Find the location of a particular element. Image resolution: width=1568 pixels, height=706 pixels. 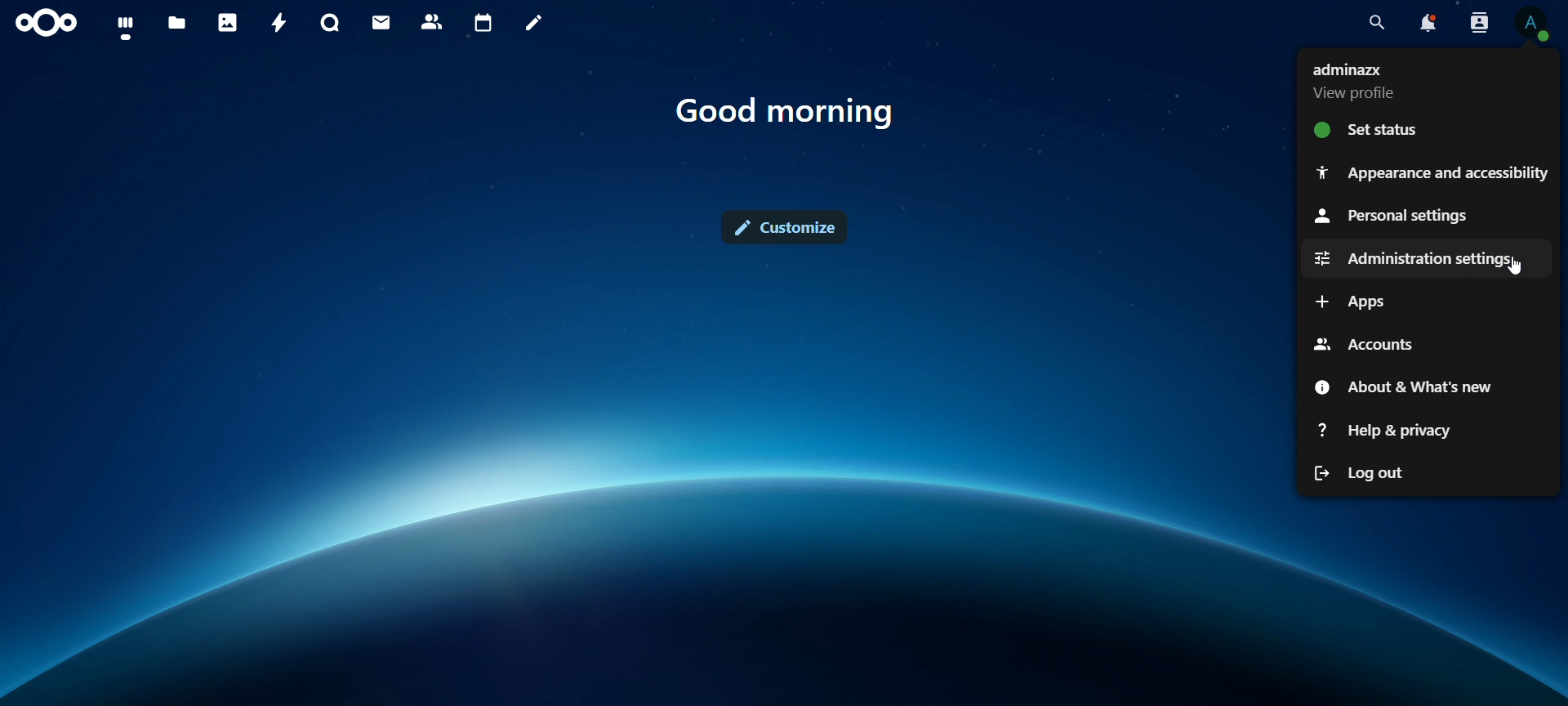

cursor is located at coordinates (1517, 268).